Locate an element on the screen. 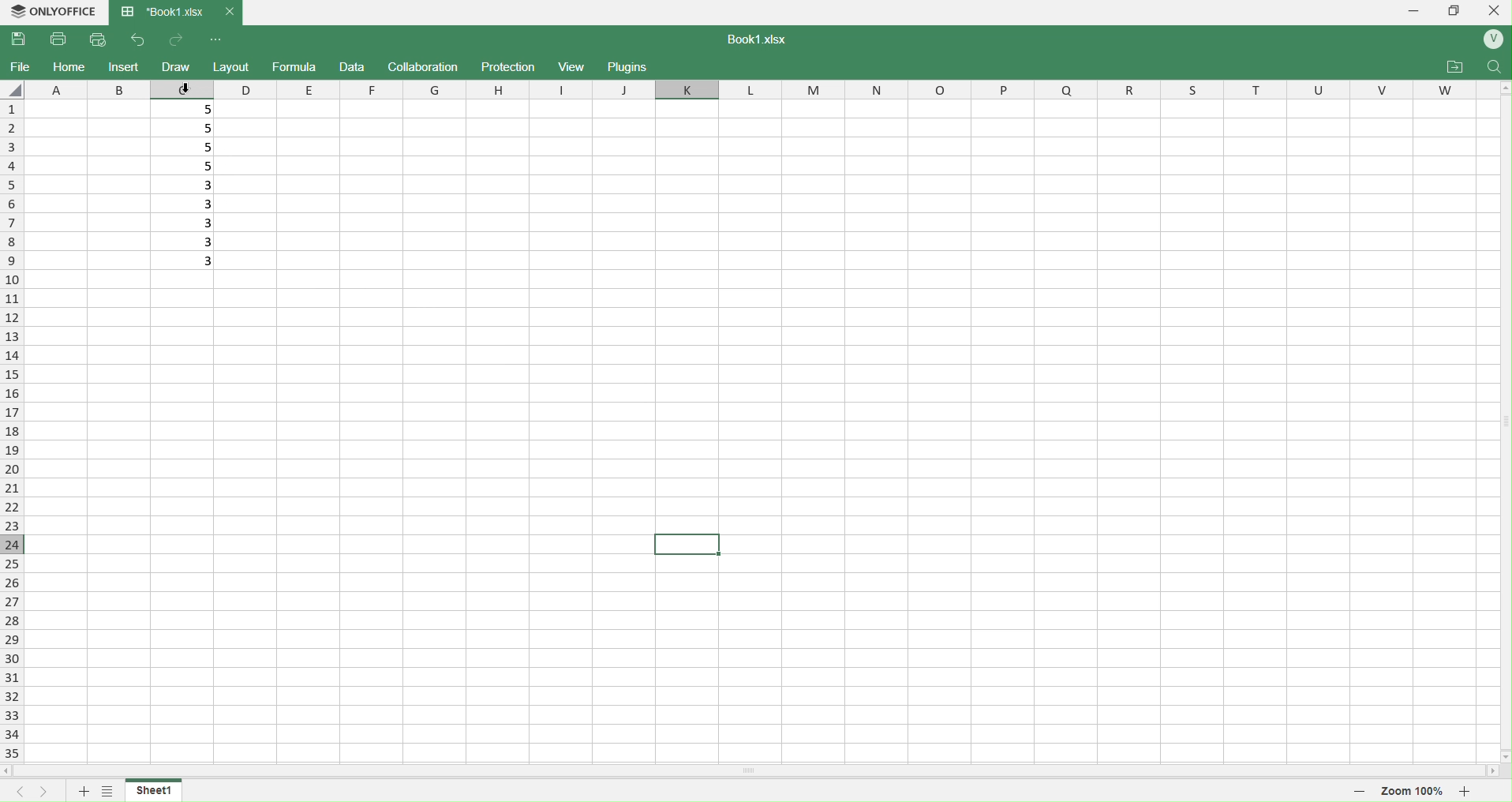  5 is located at coordinates (190, 167).